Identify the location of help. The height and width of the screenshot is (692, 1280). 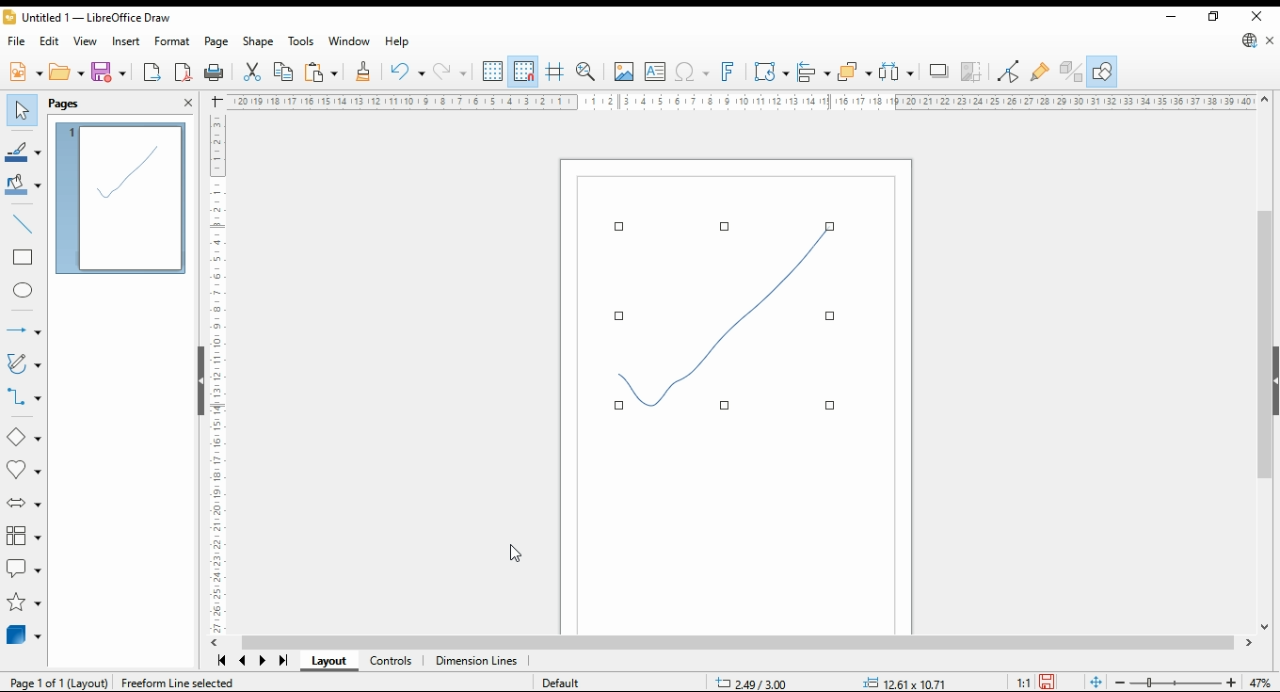
(397, 43).